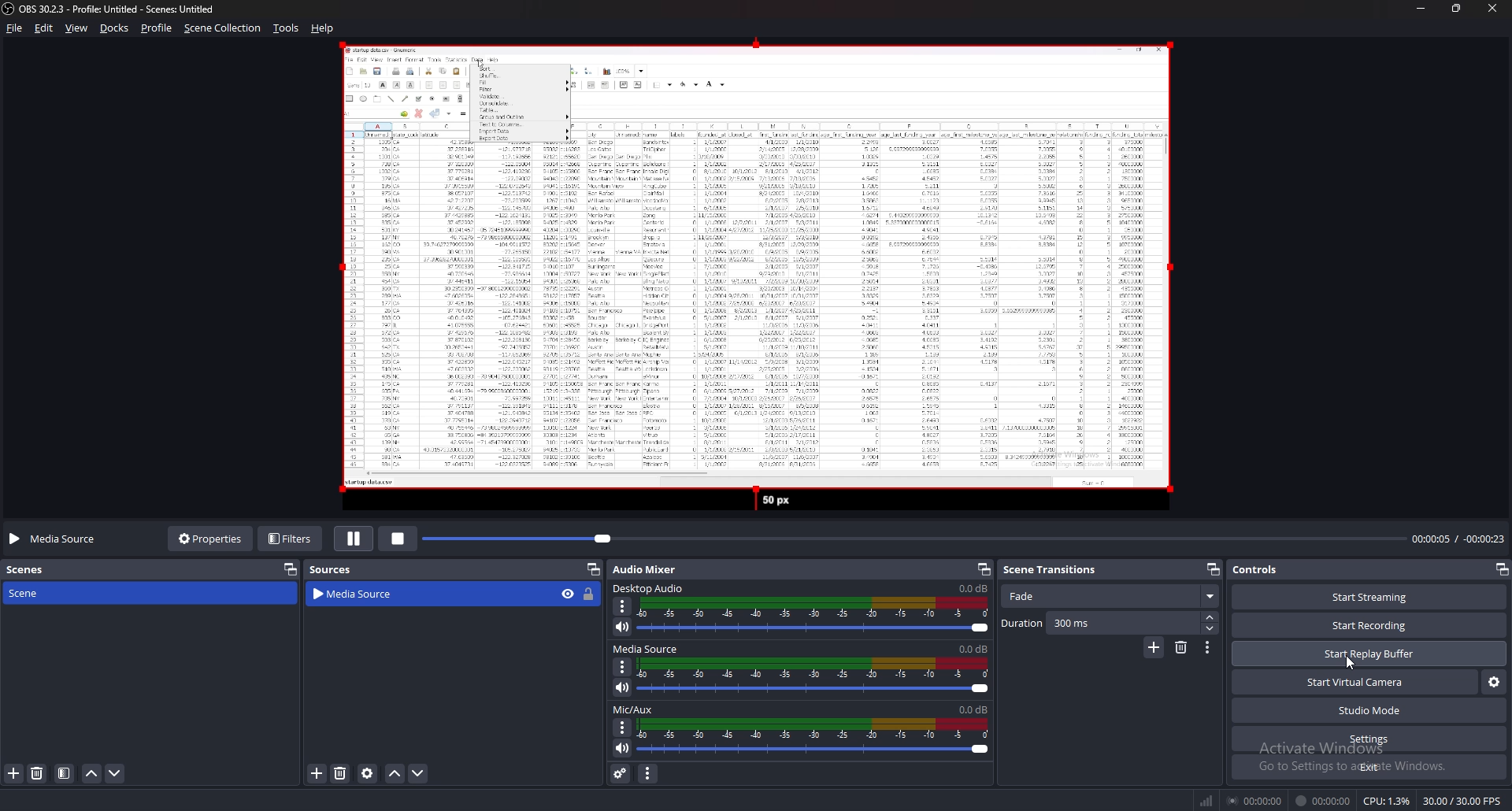  Describe the element at coordinates (1458, 539) in the screenshot. I see `00:00:05 / -00:00:23` at that location.